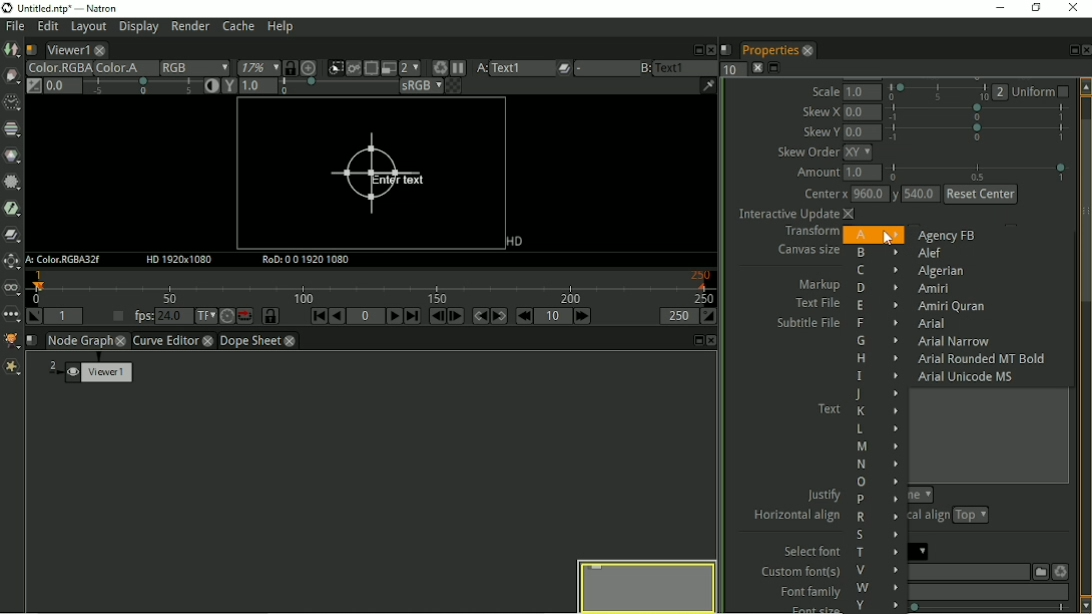 This screenshot has height=614, width=1092. I want to click on Playback in point, so click(63, 316).